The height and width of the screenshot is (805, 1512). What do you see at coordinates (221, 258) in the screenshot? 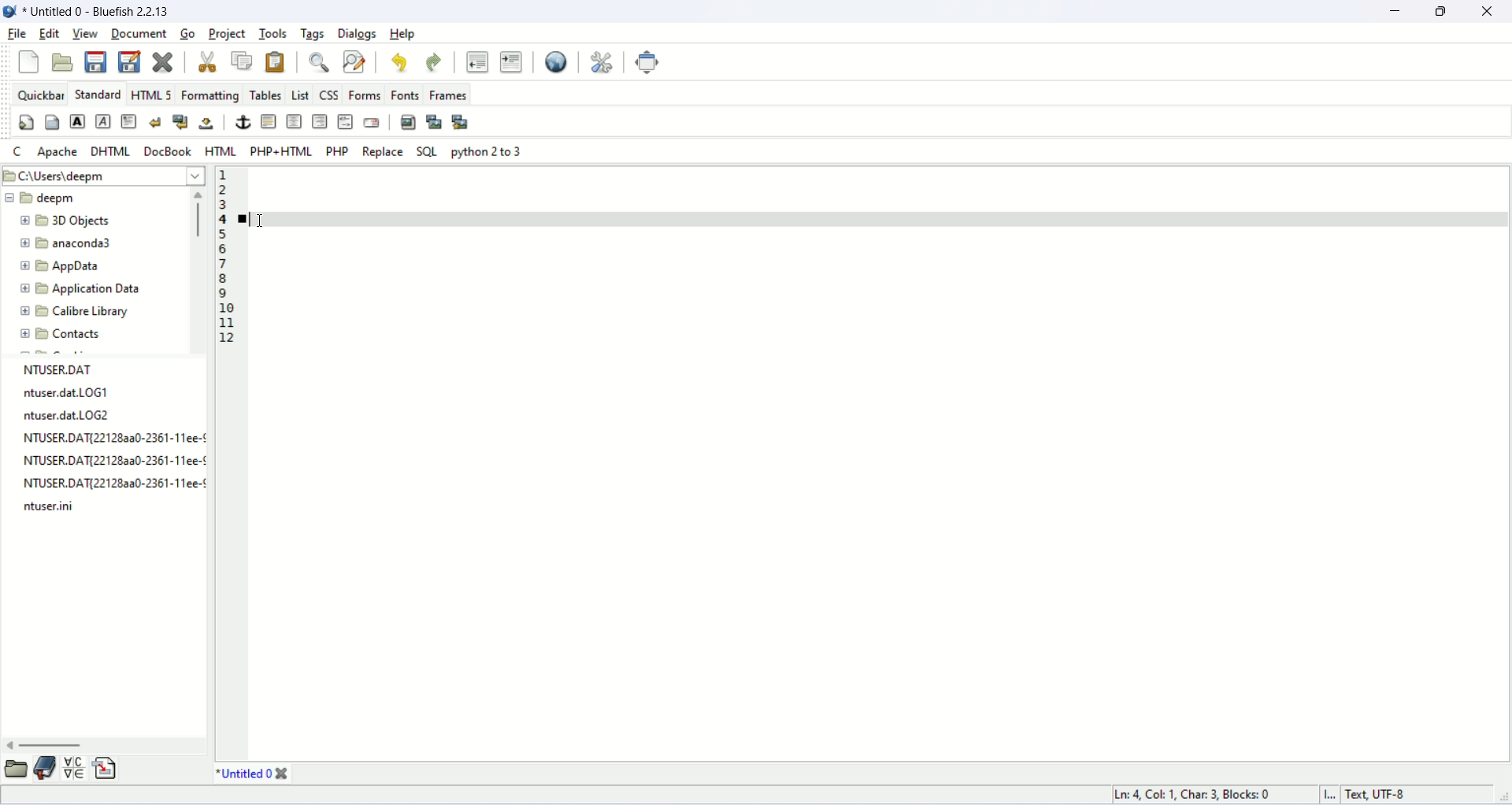
I see `line numbers` at bounding box center [221, 258].